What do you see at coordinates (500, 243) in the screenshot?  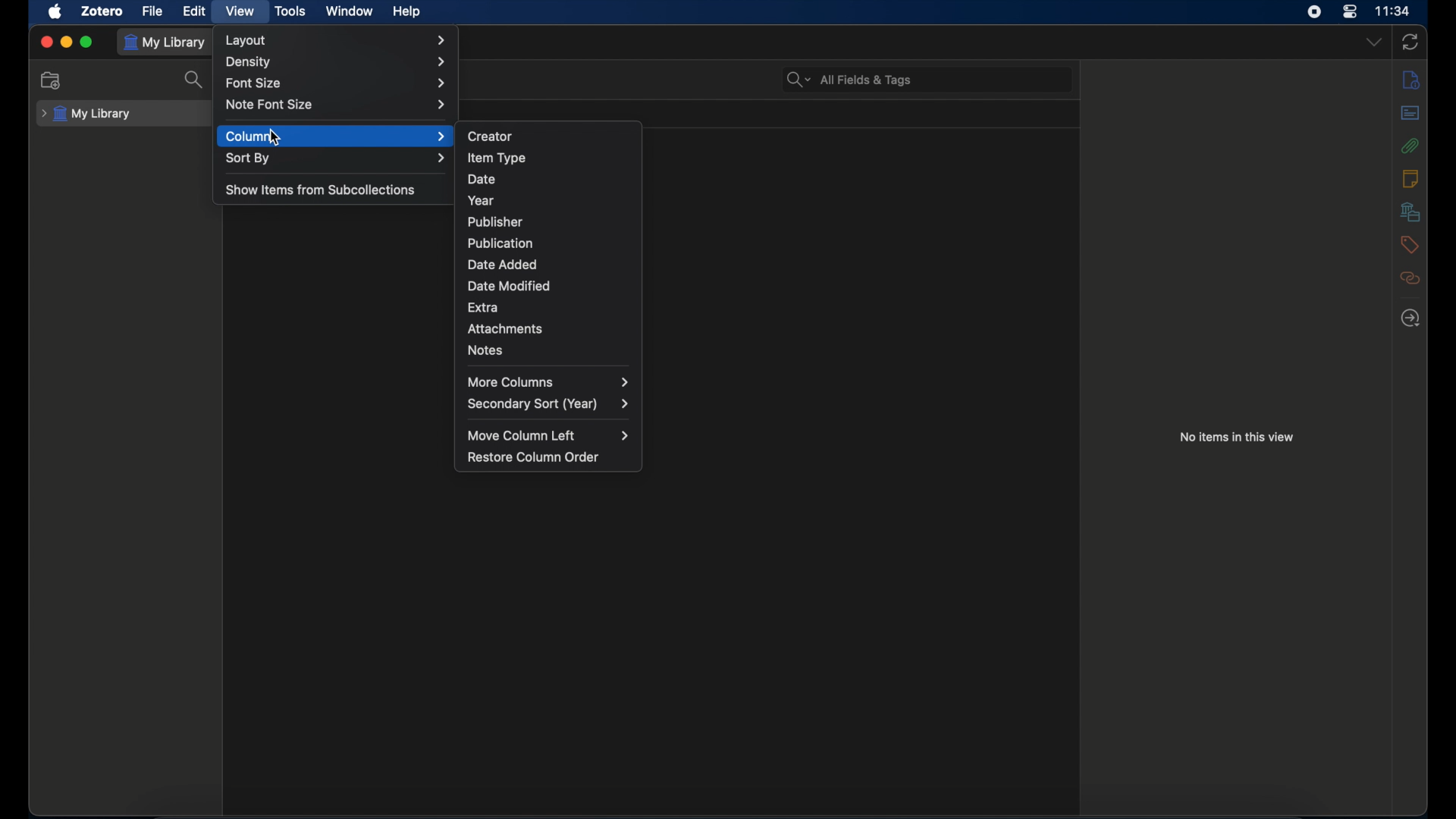 I see `publication` at bounding box center [500, 243].